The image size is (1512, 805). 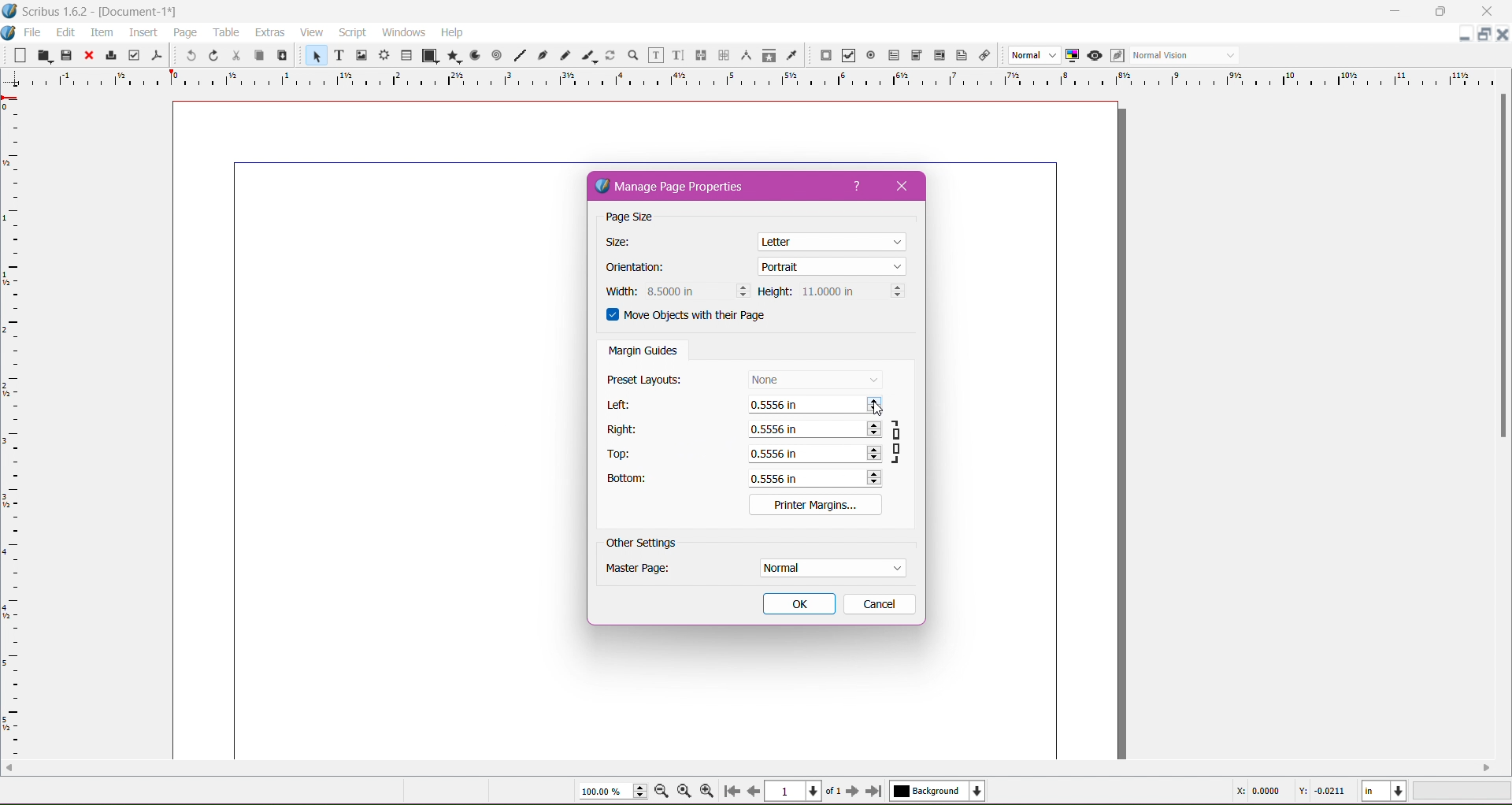 I want to click on Select the visual appearance of the display, so click(x=1188, y=56).